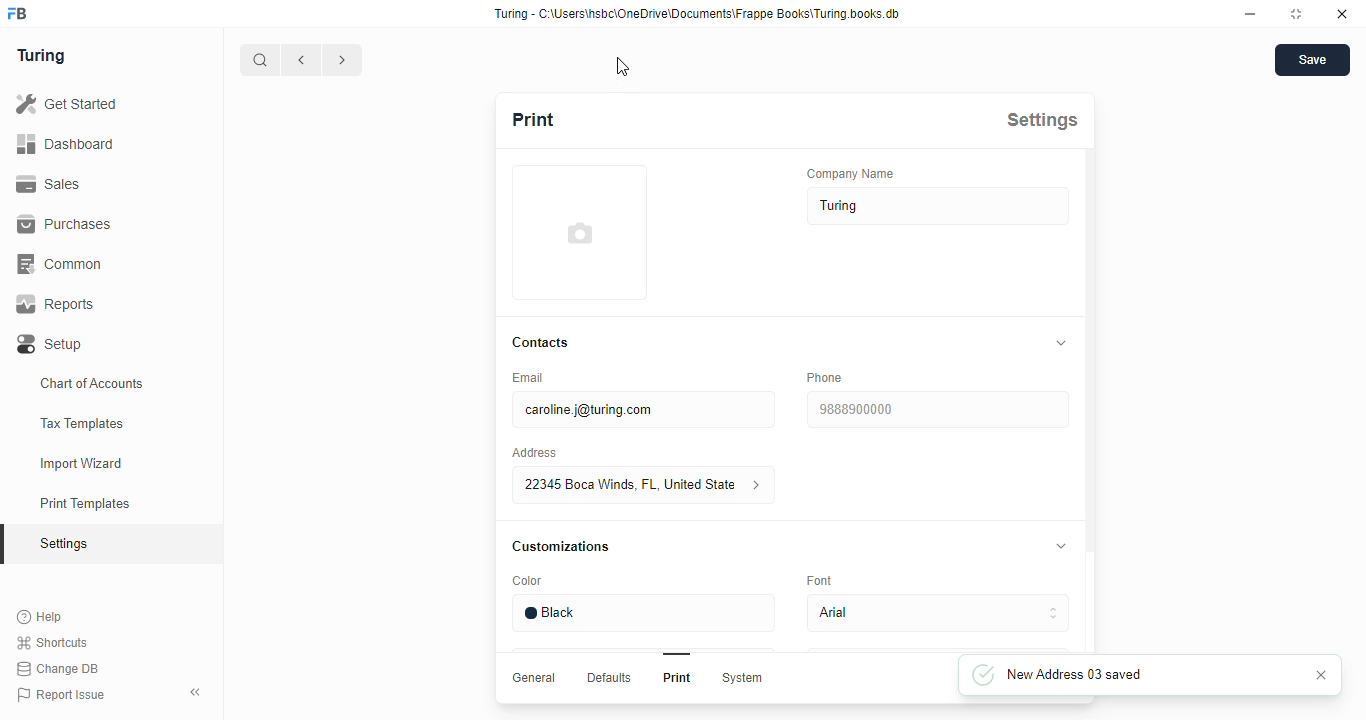 This screenshot has height=720, width=1366. I want to click on print templates, so click(85, 503).